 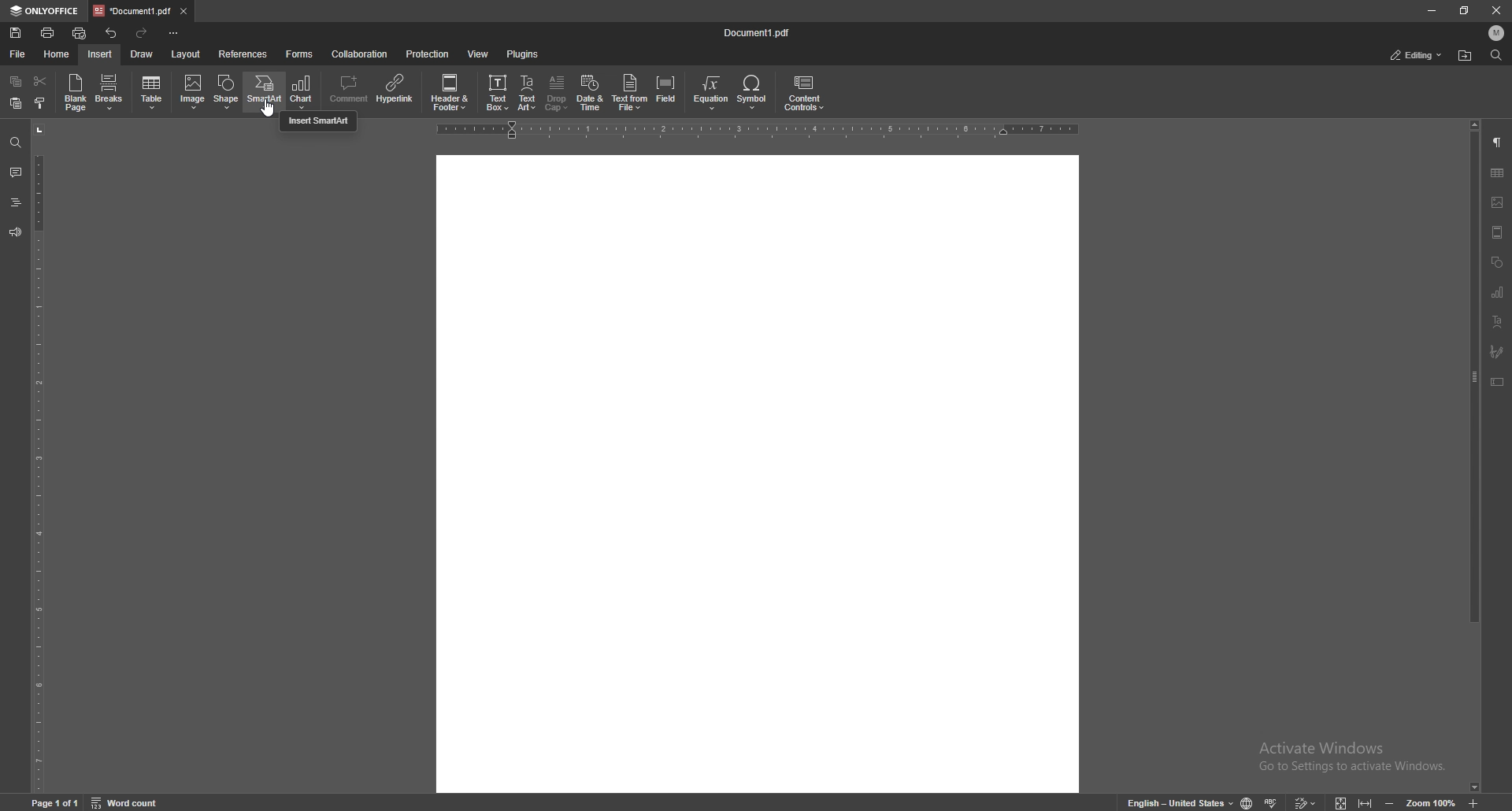 What do you see at coordinates (302, 92) in the screenshot?
I see `chart` at bounding box center [302, 92].